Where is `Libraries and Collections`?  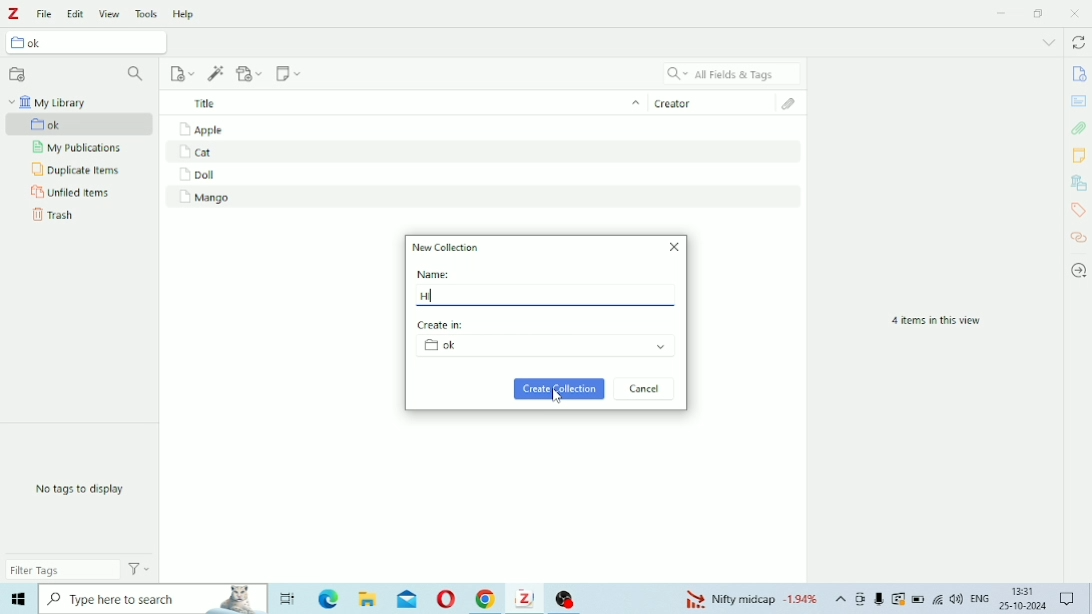 Libraries and Collections is located at coordinates (1077, 183).